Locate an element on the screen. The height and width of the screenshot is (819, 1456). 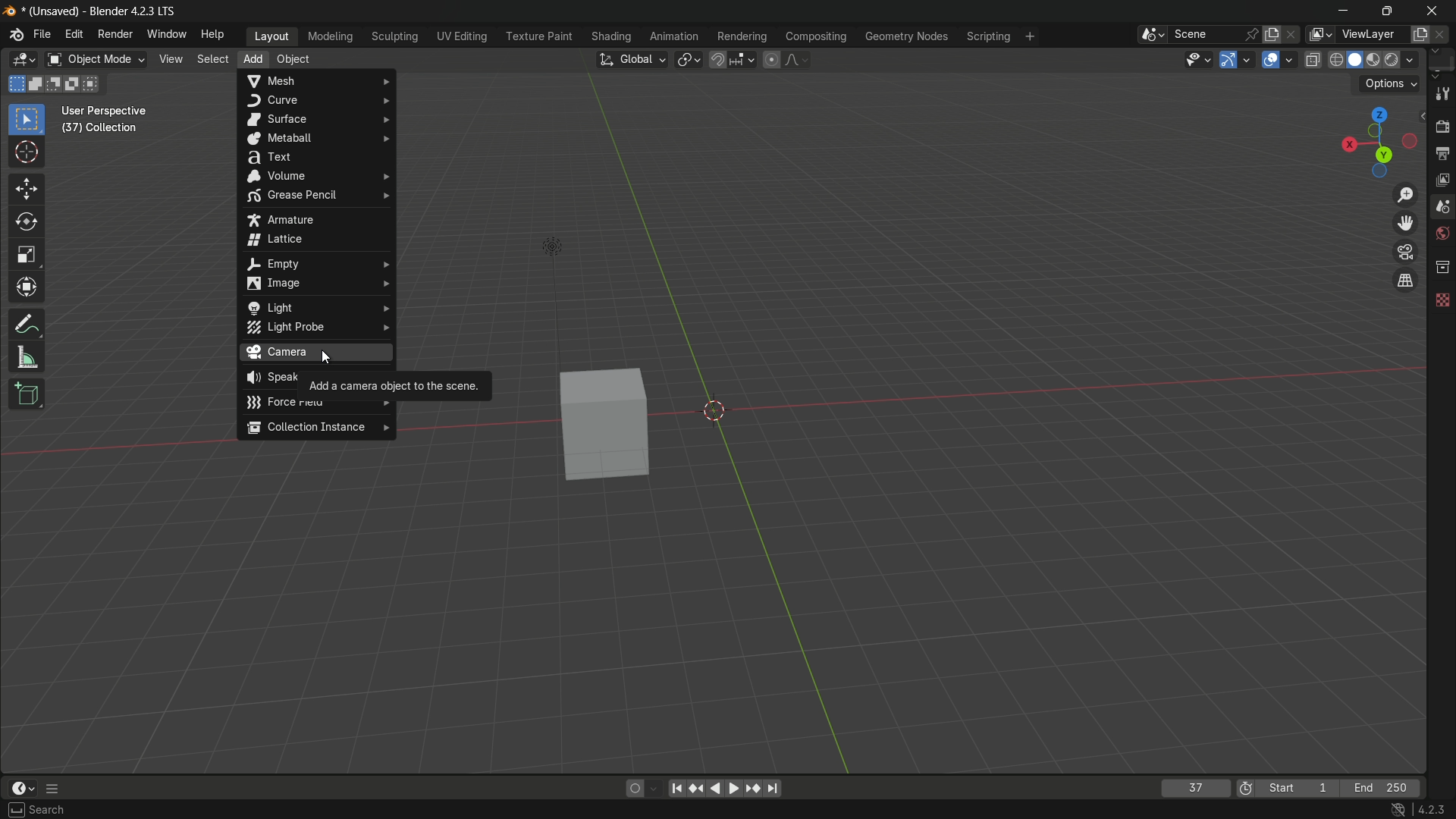
subtract existing selection is located at coordinates (57, 83).